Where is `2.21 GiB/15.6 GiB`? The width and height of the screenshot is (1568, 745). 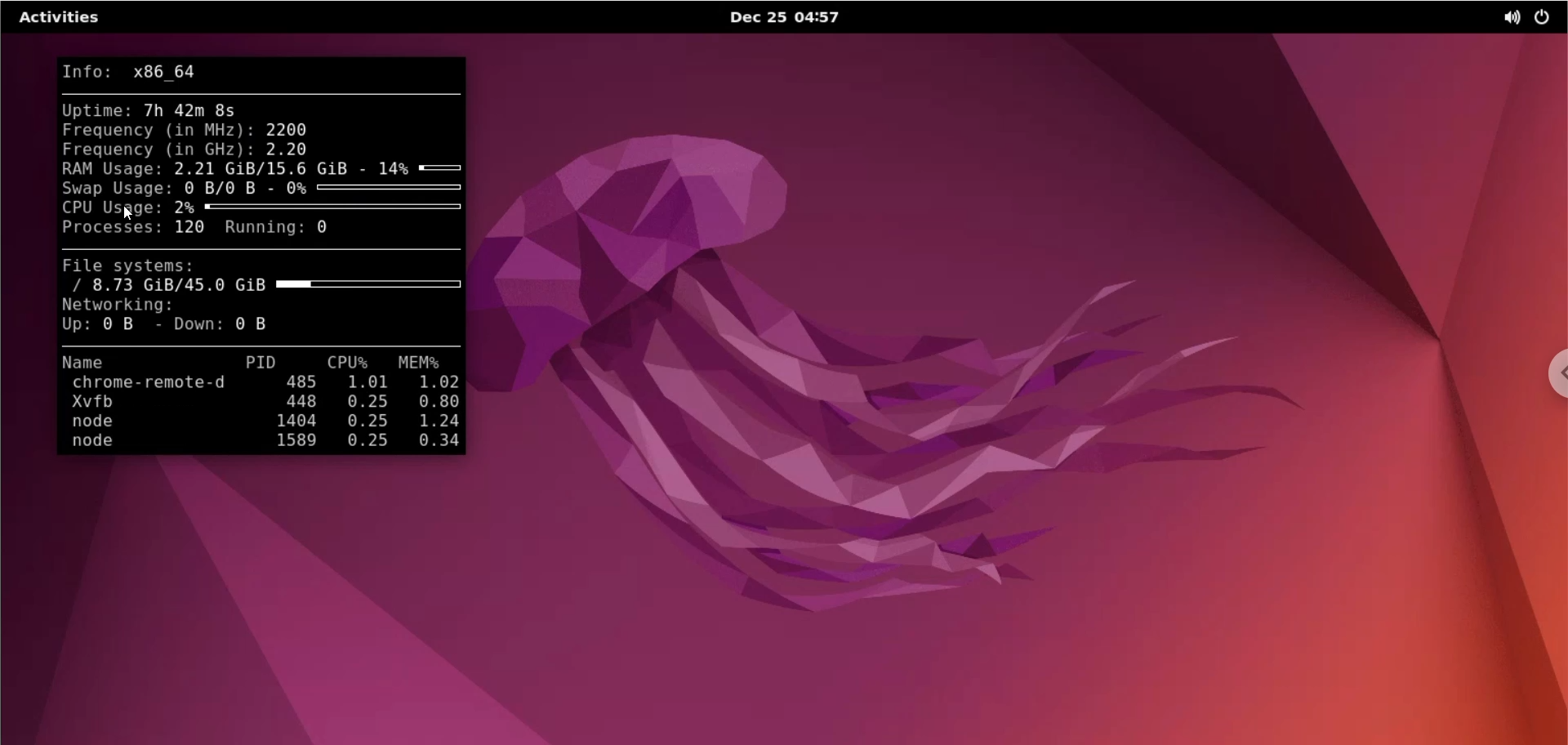
2.21 GiB/15.6 GiB is located at coordinates (265, 167).